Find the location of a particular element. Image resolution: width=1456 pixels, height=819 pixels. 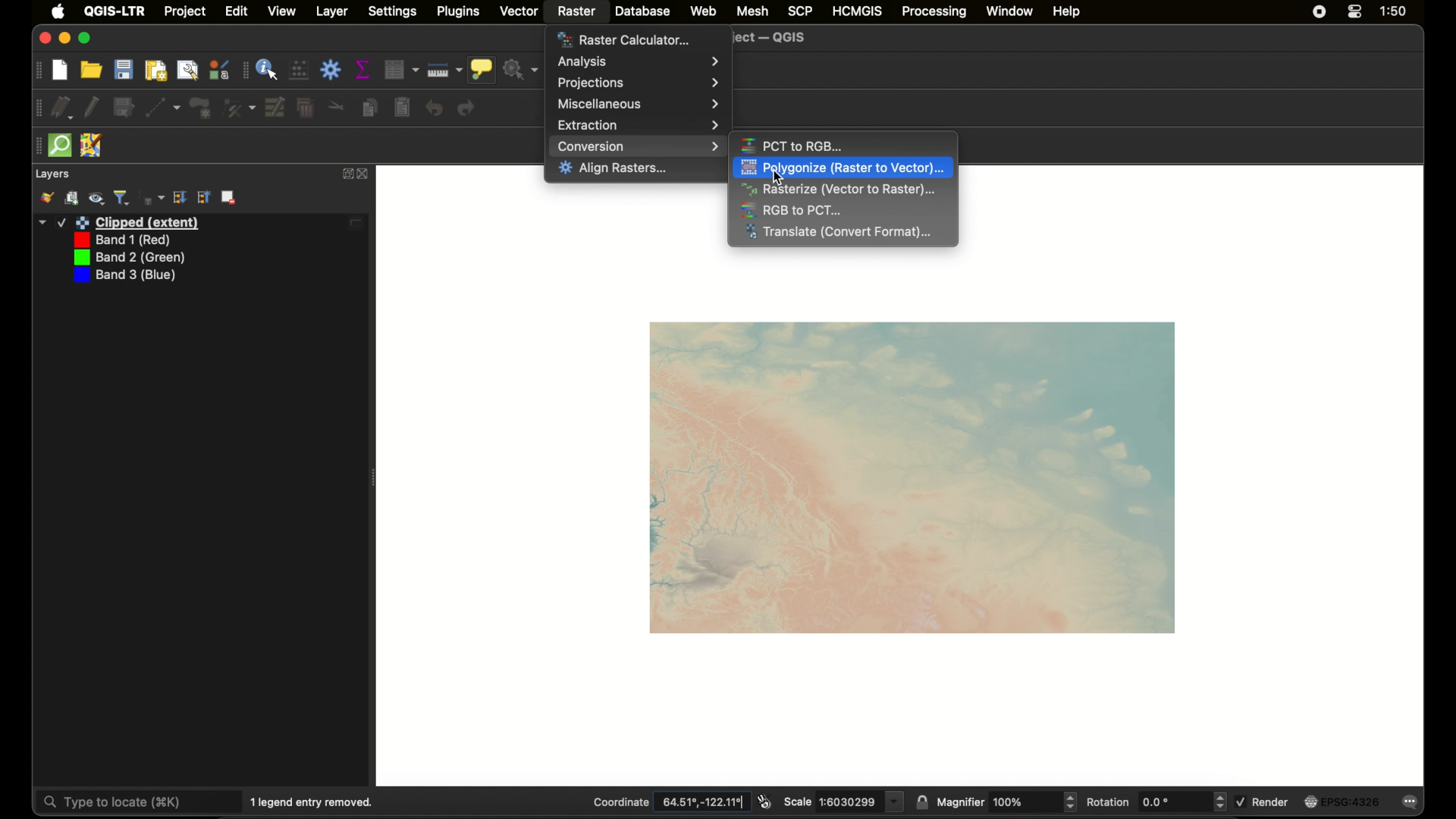

layers is located at coordinates (52, 174).